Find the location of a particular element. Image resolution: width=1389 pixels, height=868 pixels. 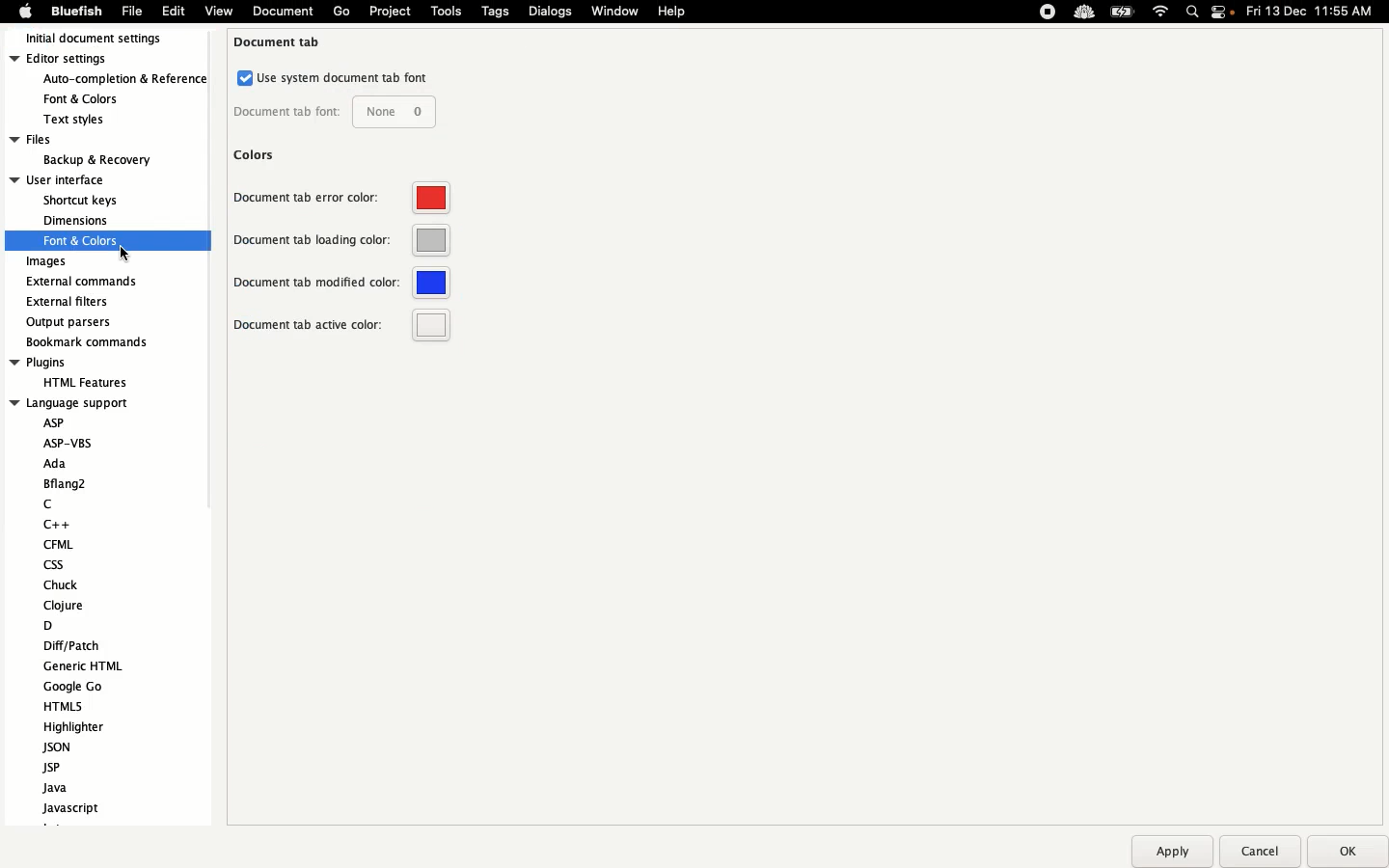

External filters is located at coordinates (70, 302).